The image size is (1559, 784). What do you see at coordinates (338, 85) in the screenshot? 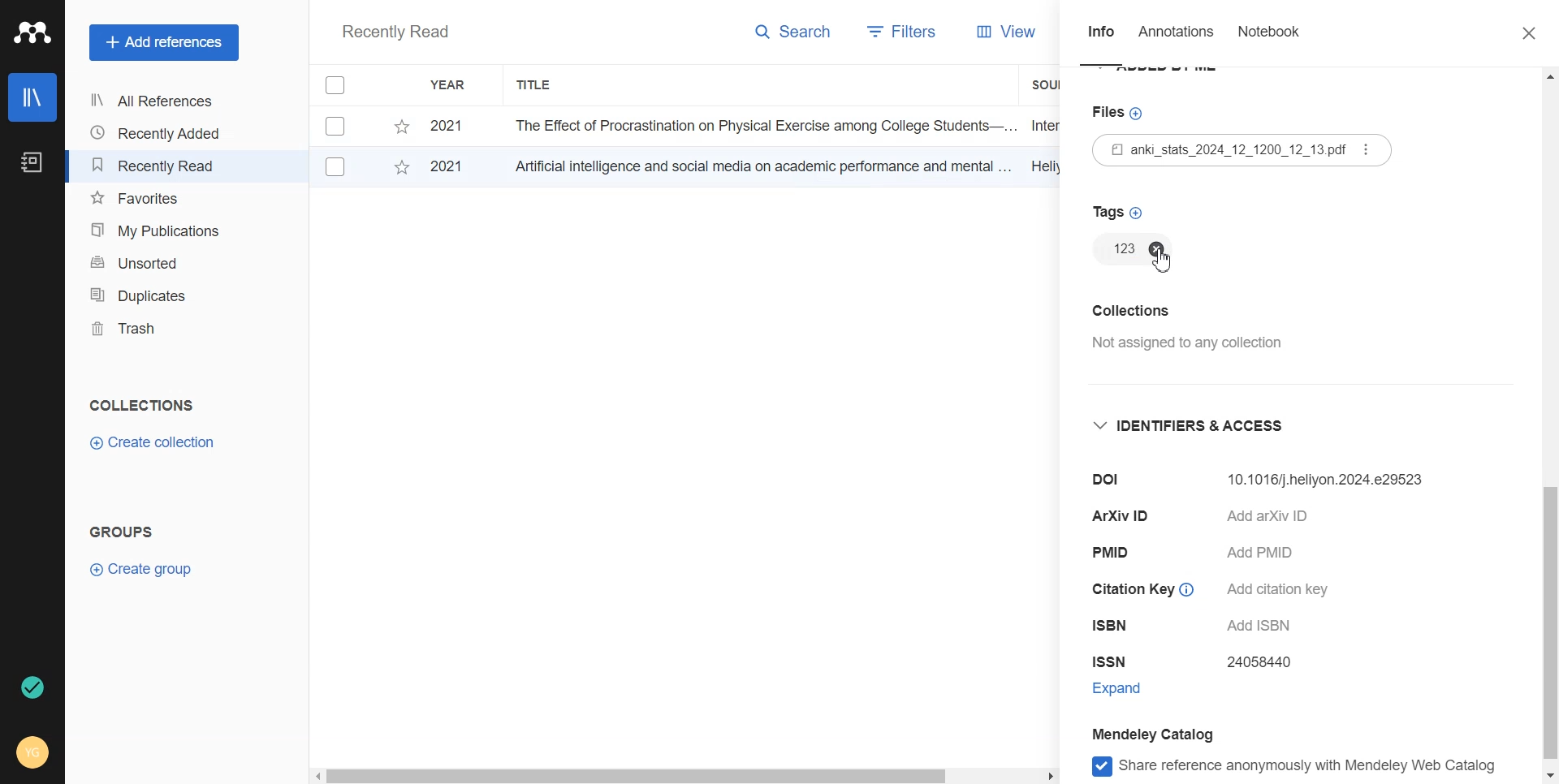
I see `Checkbox` at bounding box center [338, 85].